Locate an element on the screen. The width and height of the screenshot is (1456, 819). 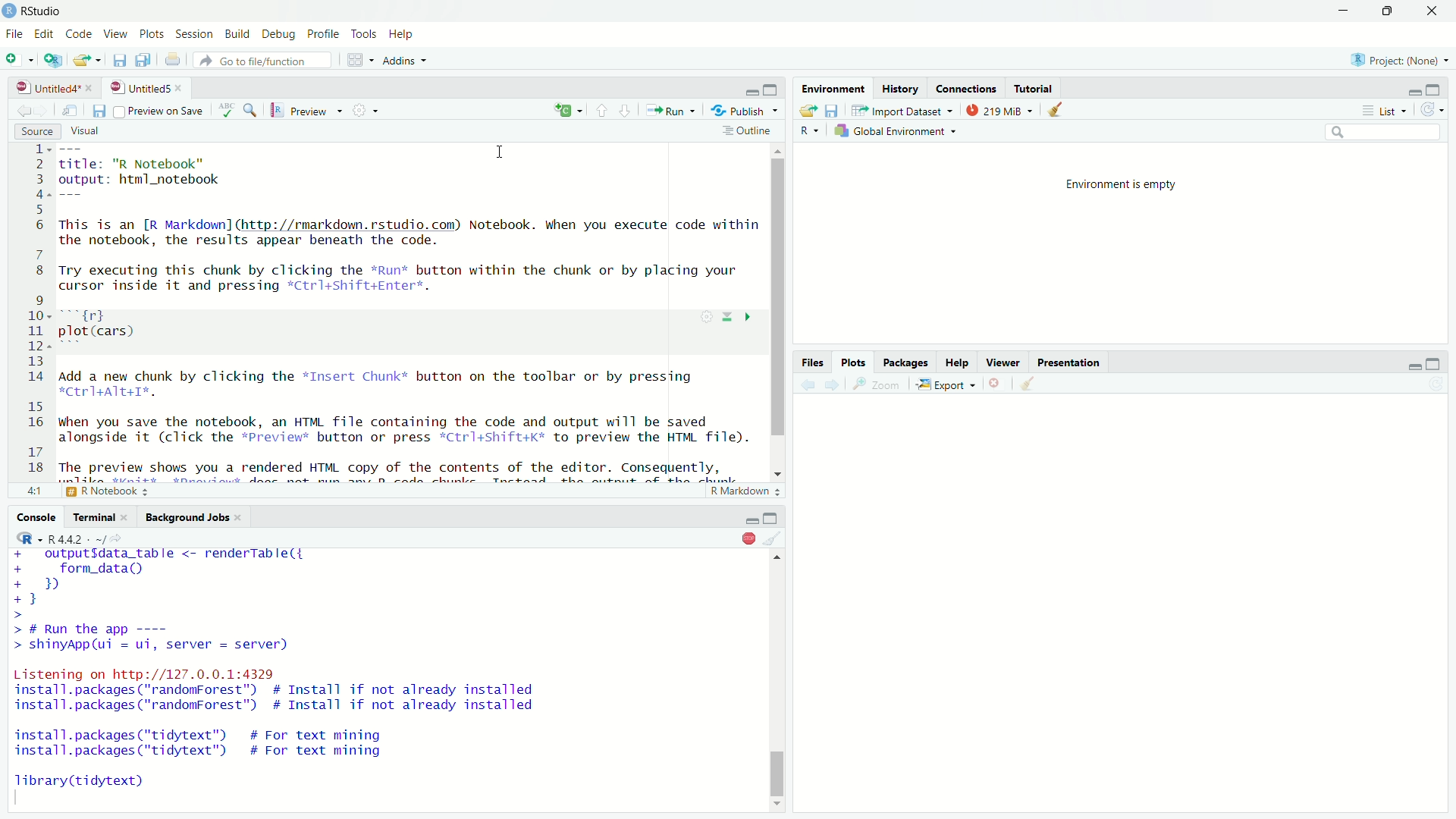
History is located at coordinates (899, 87).